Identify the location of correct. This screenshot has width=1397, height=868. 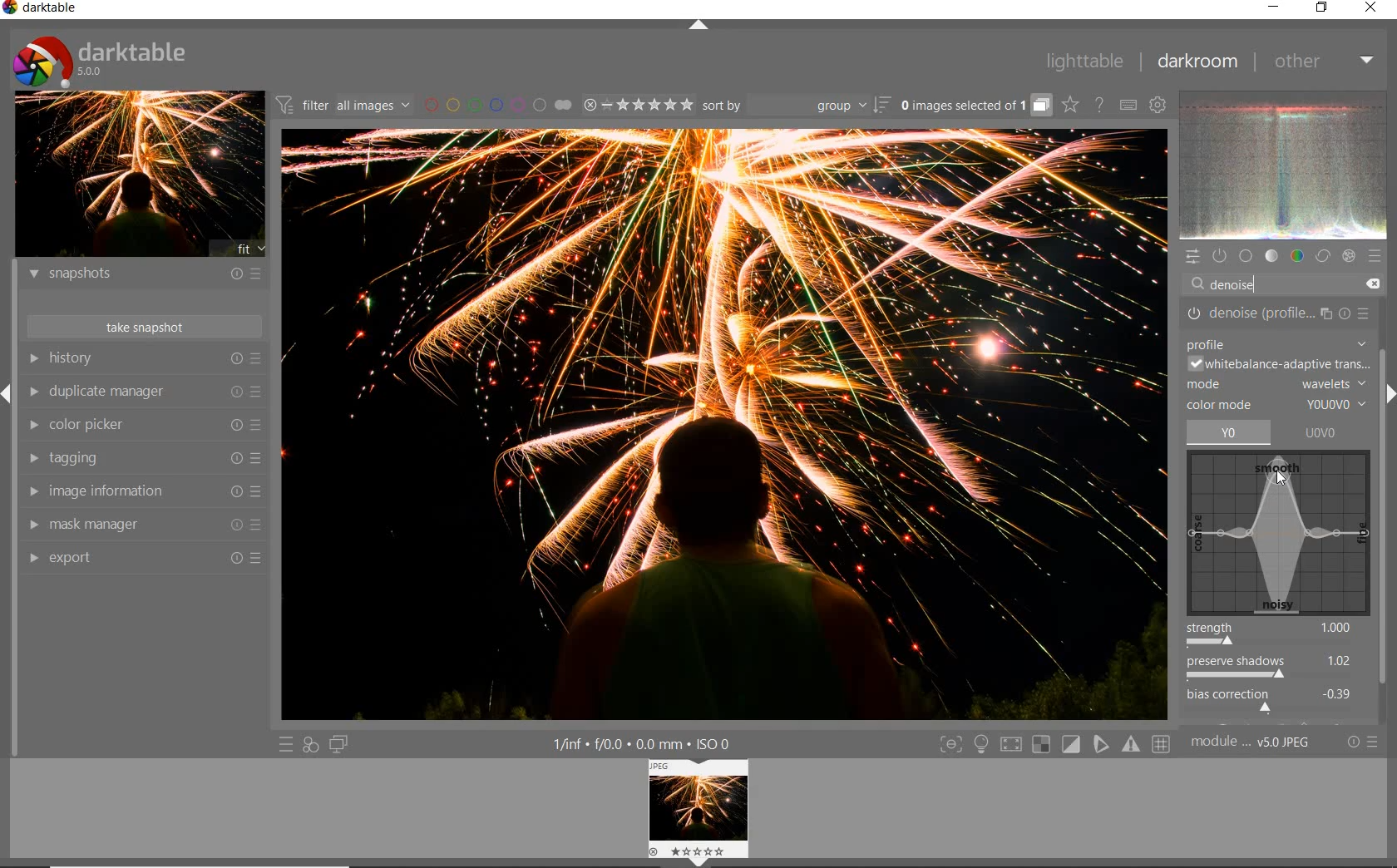
(1323, 257).